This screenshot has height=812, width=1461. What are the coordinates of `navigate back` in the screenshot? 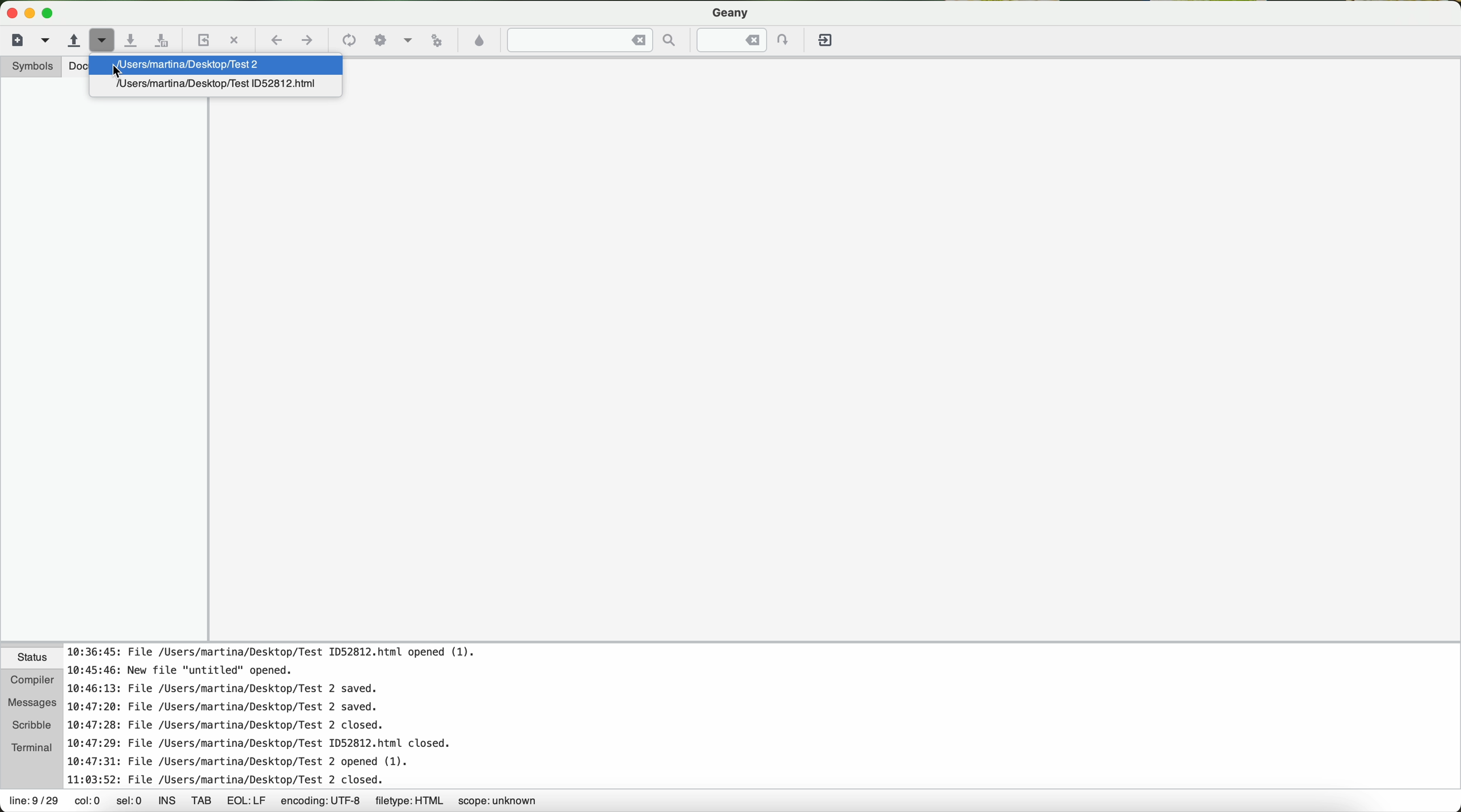 It's located at (277, 43).